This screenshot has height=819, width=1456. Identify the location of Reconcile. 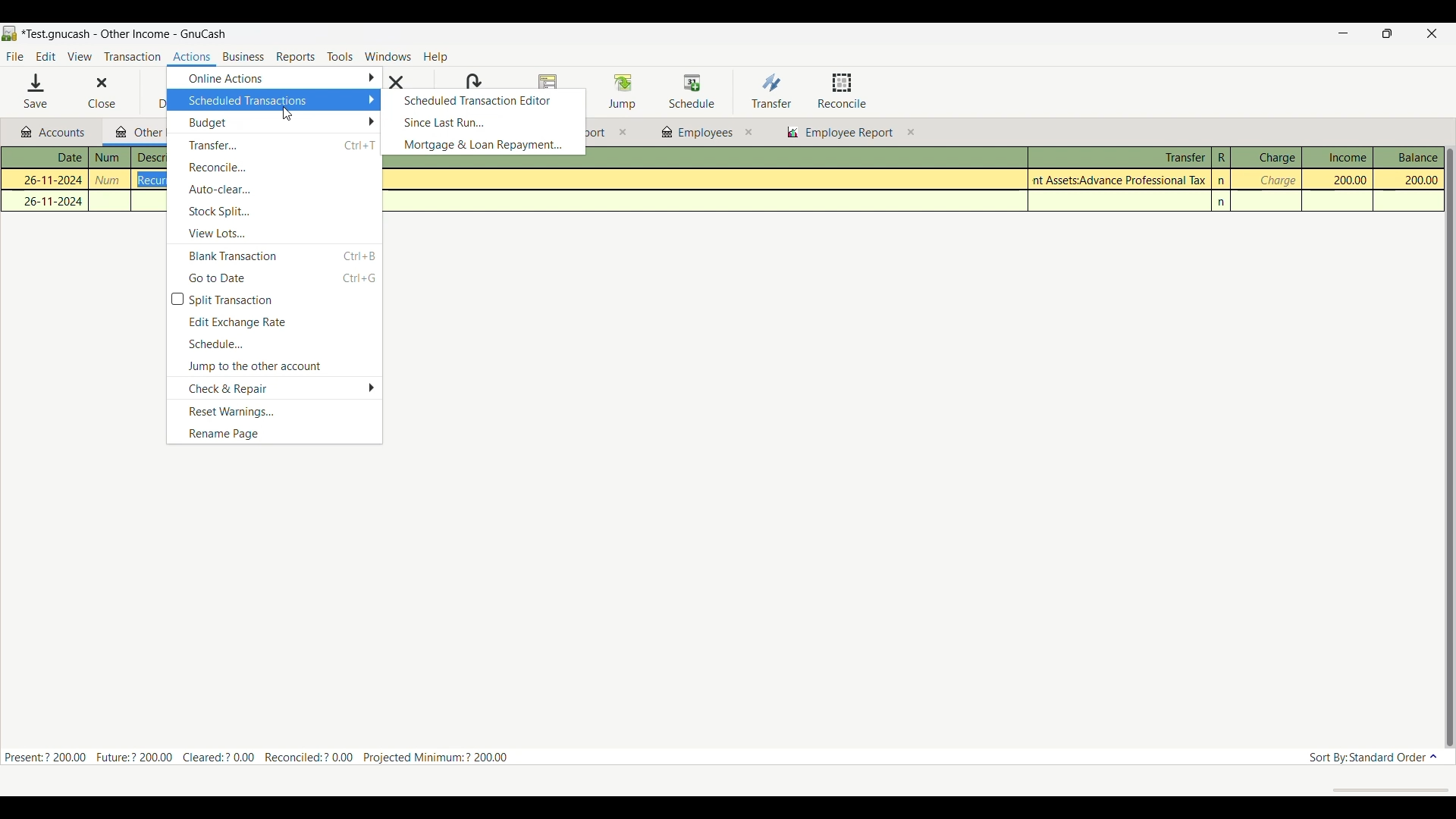
(843, 90).